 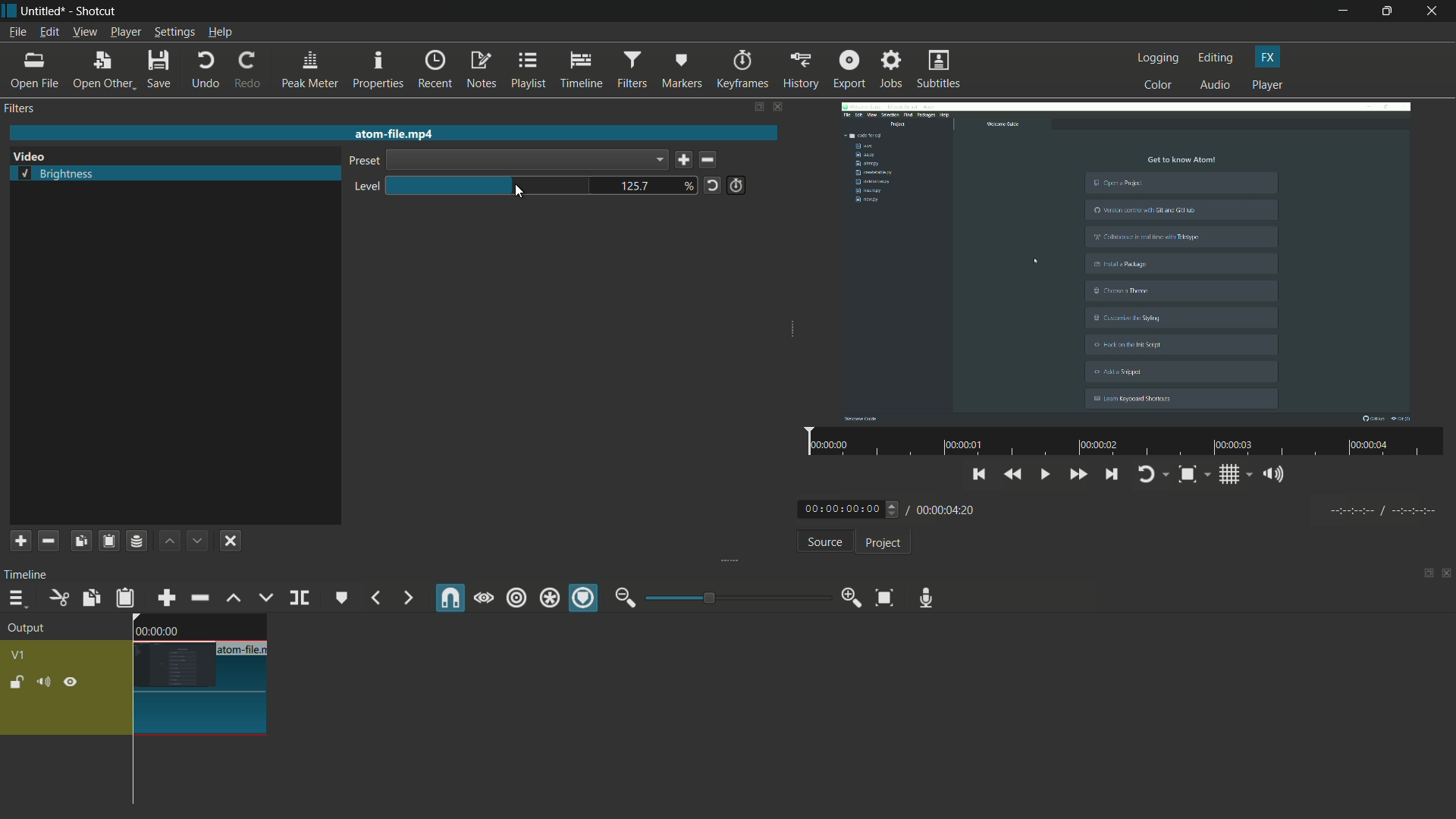 I want to click on 125.7, so click(x=635, y=187).